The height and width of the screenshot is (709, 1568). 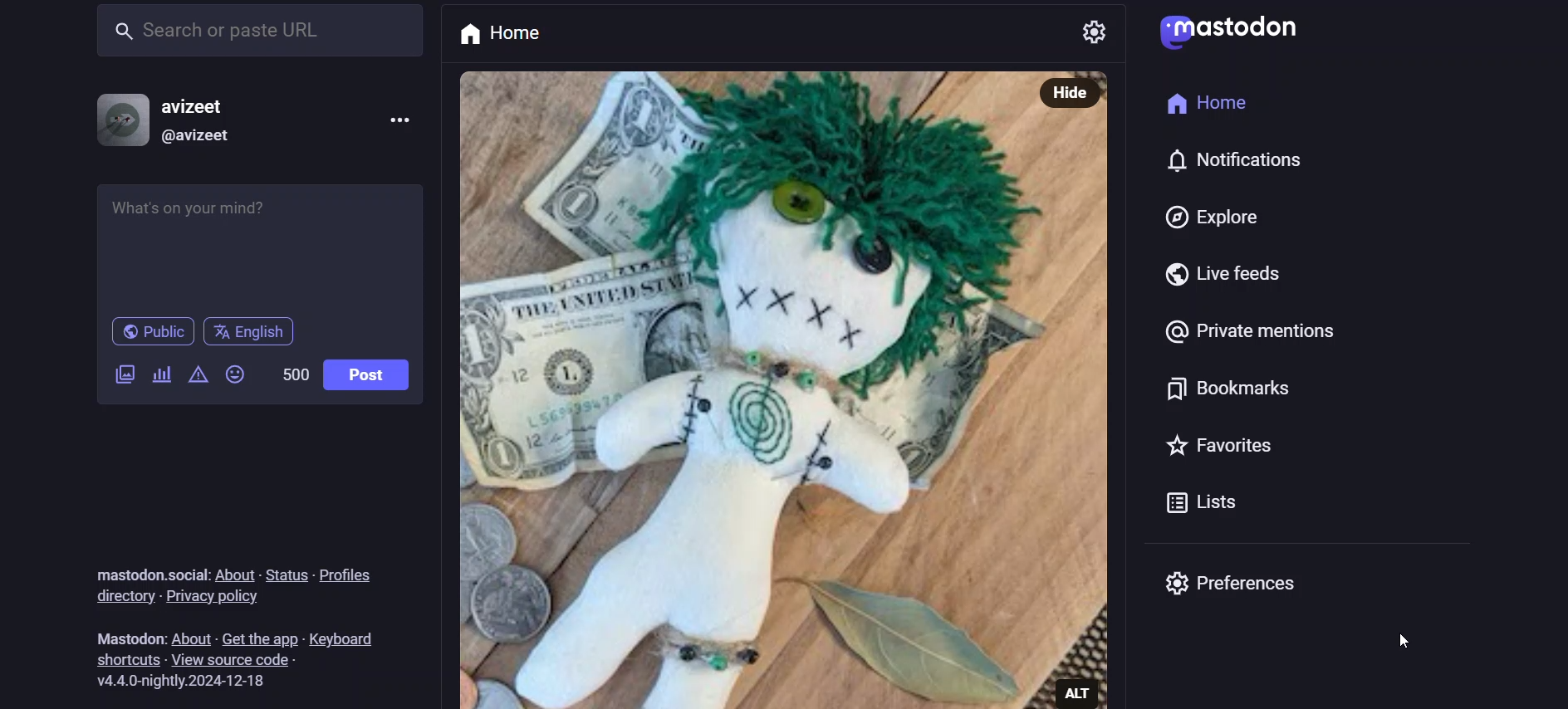 What do you see at coordinates (198, 374) in the screenshot?
I see `content warning` at bounding box center [198, 374].